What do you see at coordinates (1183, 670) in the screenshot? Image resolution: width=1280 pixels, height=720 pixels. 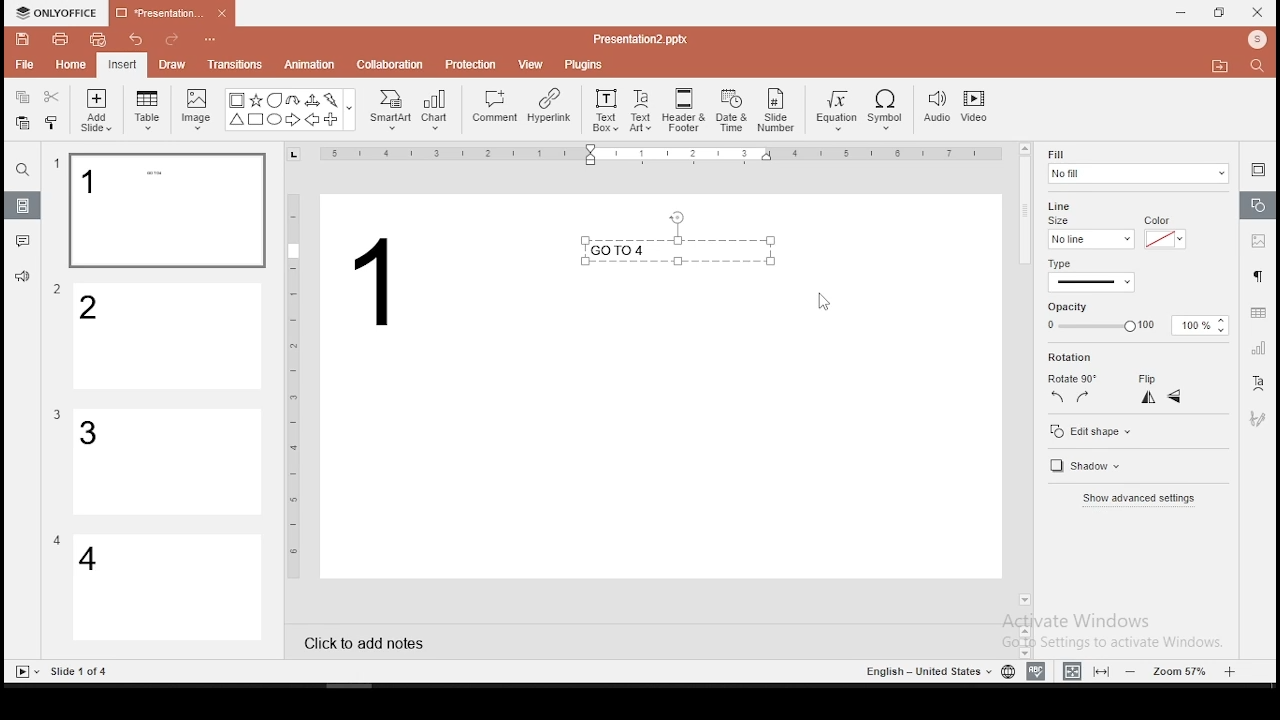 I see `zoom level` at bounding box center [1183, 670].